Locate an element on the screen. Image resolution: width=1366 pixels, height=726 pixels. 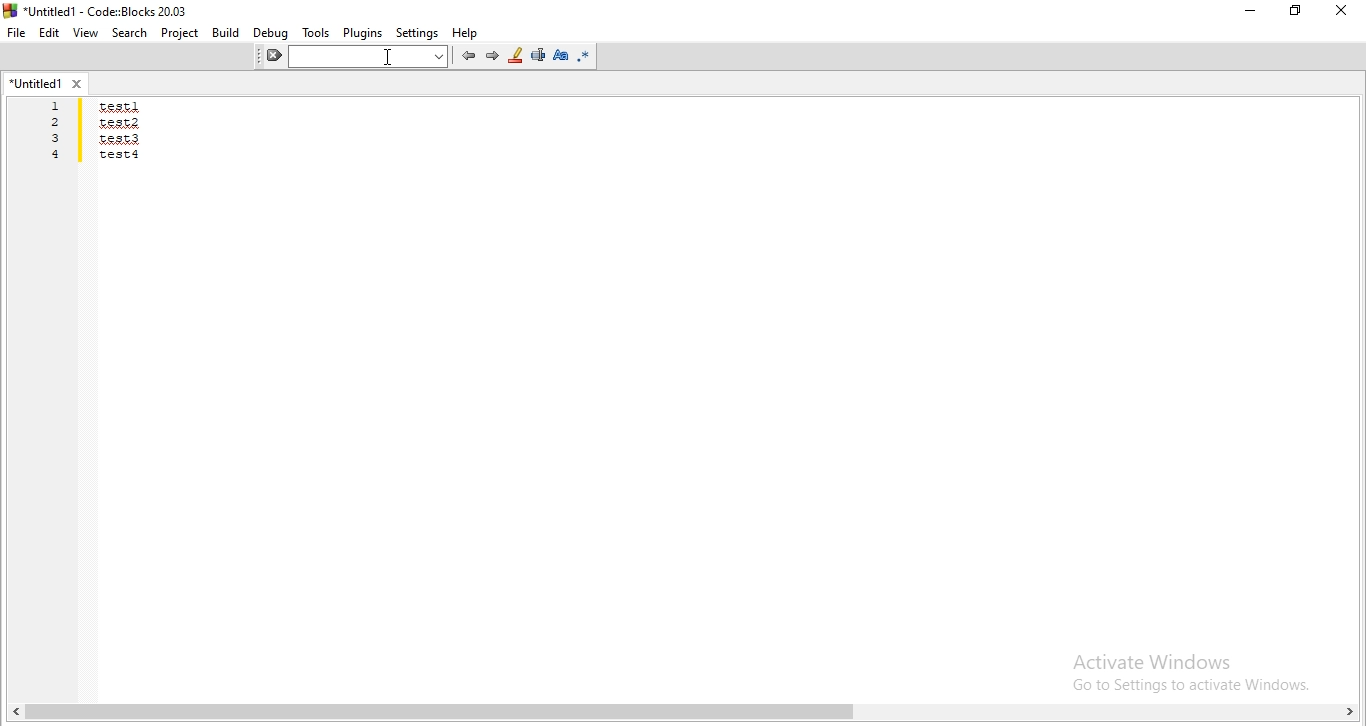
line numbers is located at coordinates (58, 132).